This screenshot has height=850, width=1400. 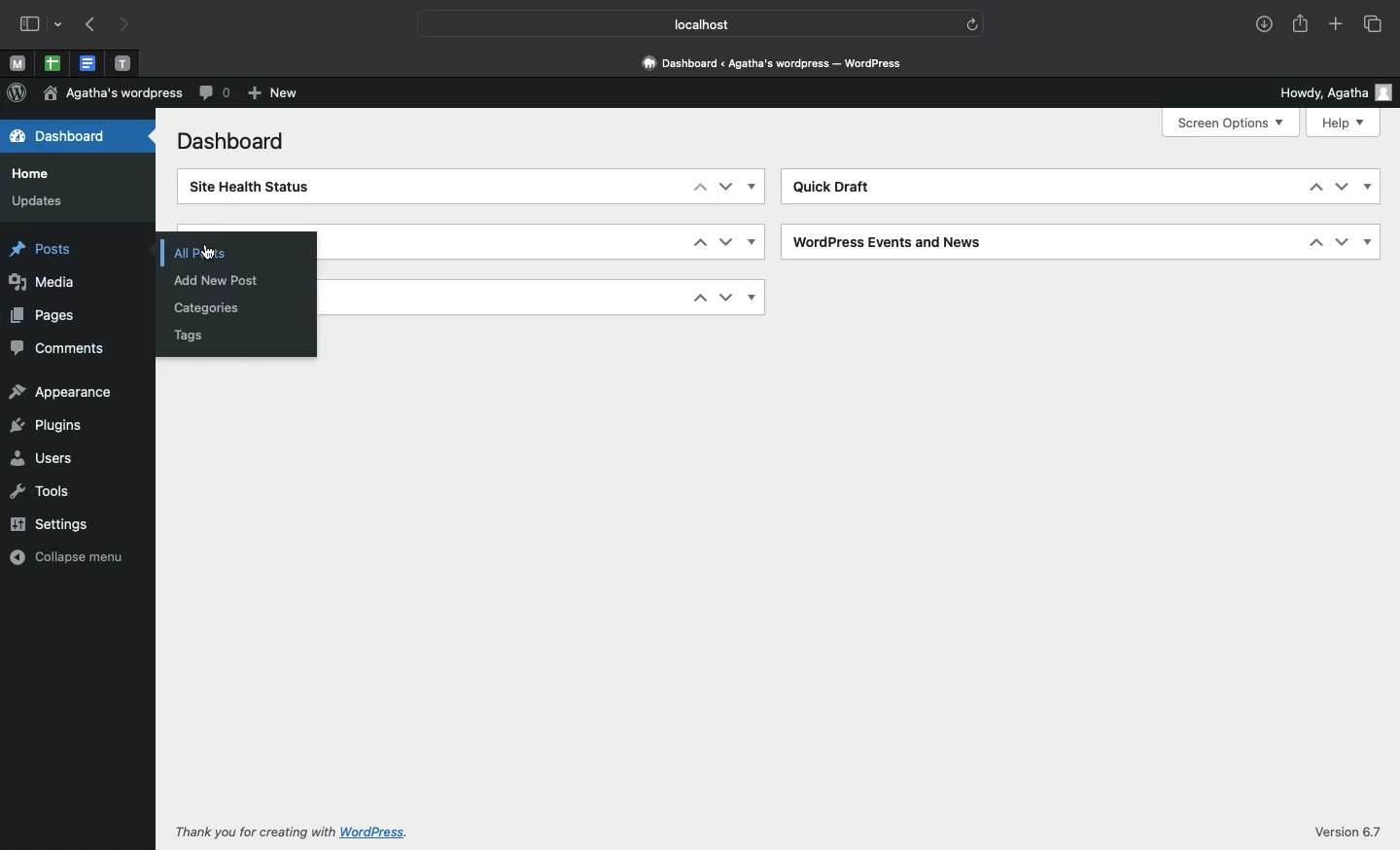 What do you see at coordinates (272, 94) in the screenshot?
I see `Add new` at bounding box center [272, 94].